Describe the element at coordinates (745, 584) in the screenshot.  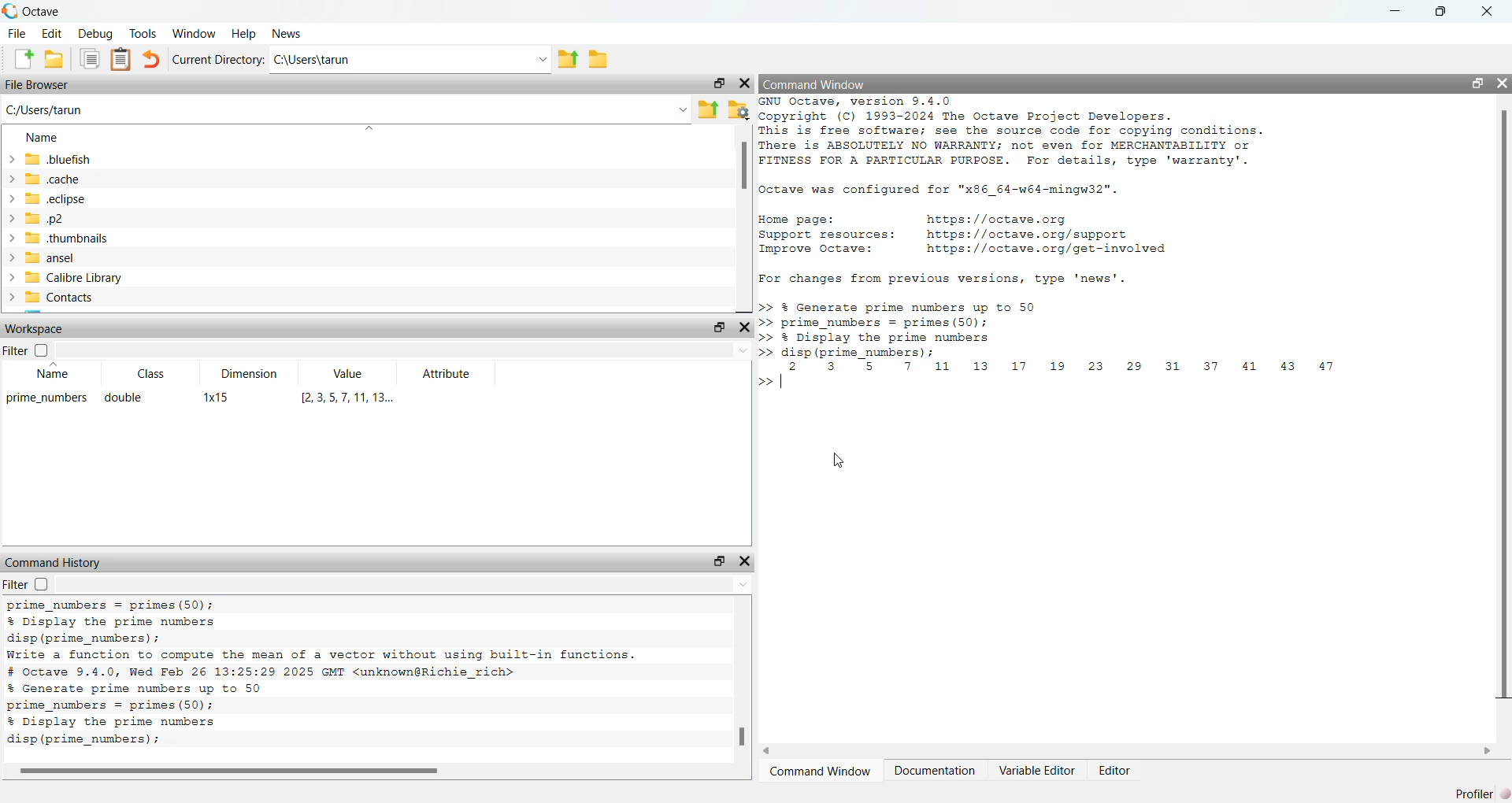
I see `Drop-down ` at that location.